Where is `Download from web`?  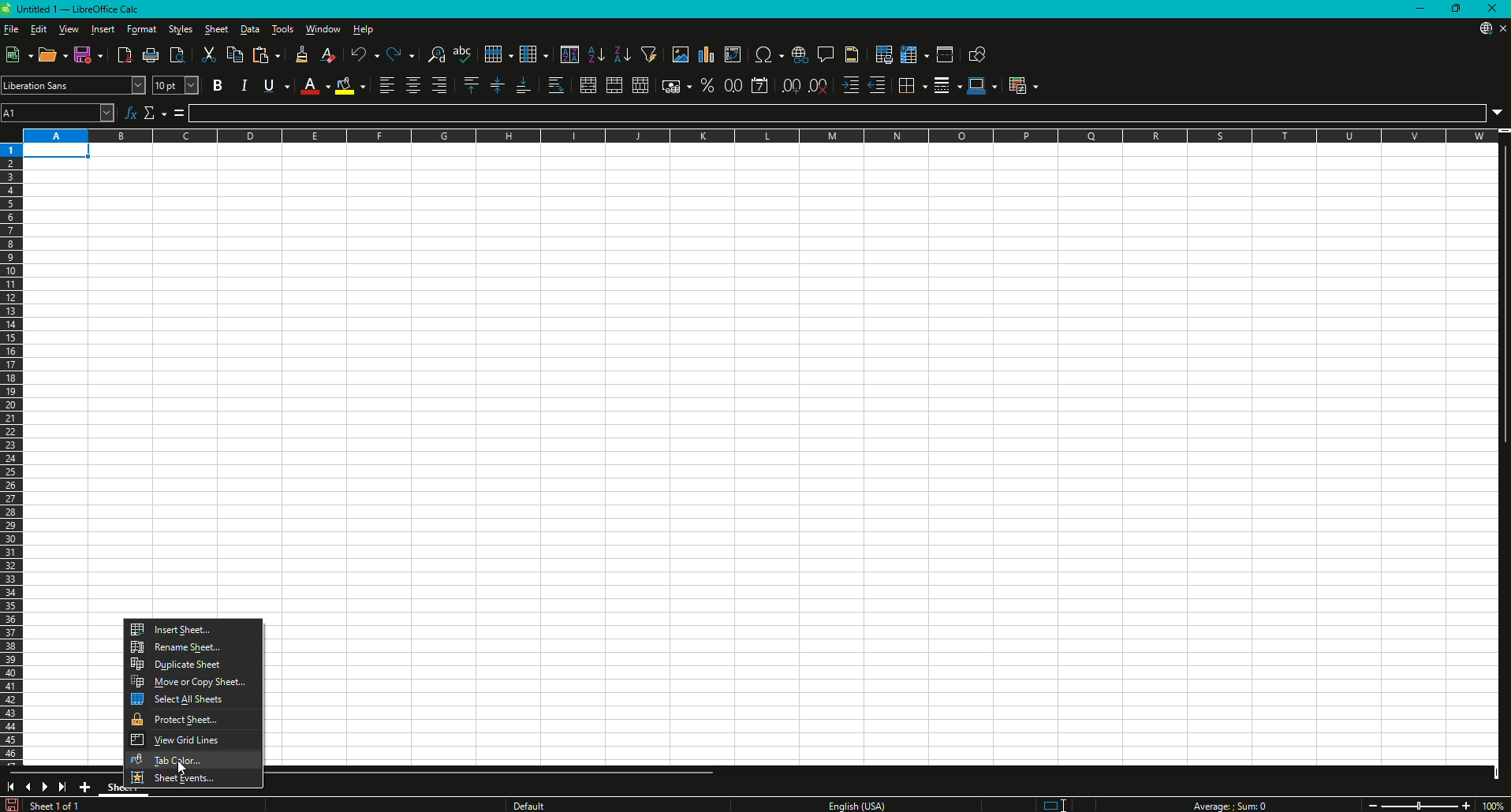
Download from web is located at coordinates (1485, 28).